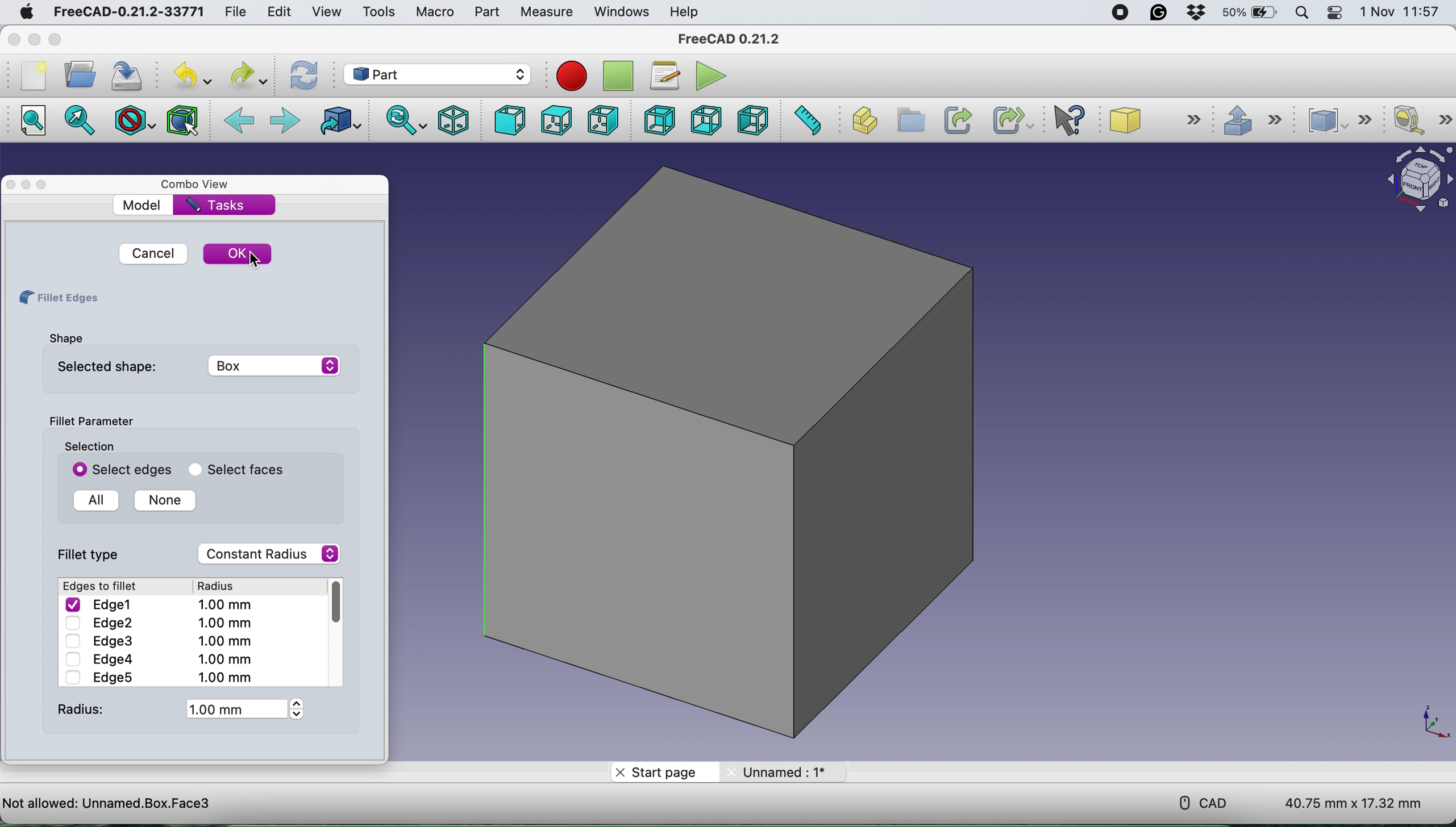 The height and width of the screenshot is (827, 1456). Describe the element at coordinates (177, 709) in the screenshot. I see `Radius` at that location.